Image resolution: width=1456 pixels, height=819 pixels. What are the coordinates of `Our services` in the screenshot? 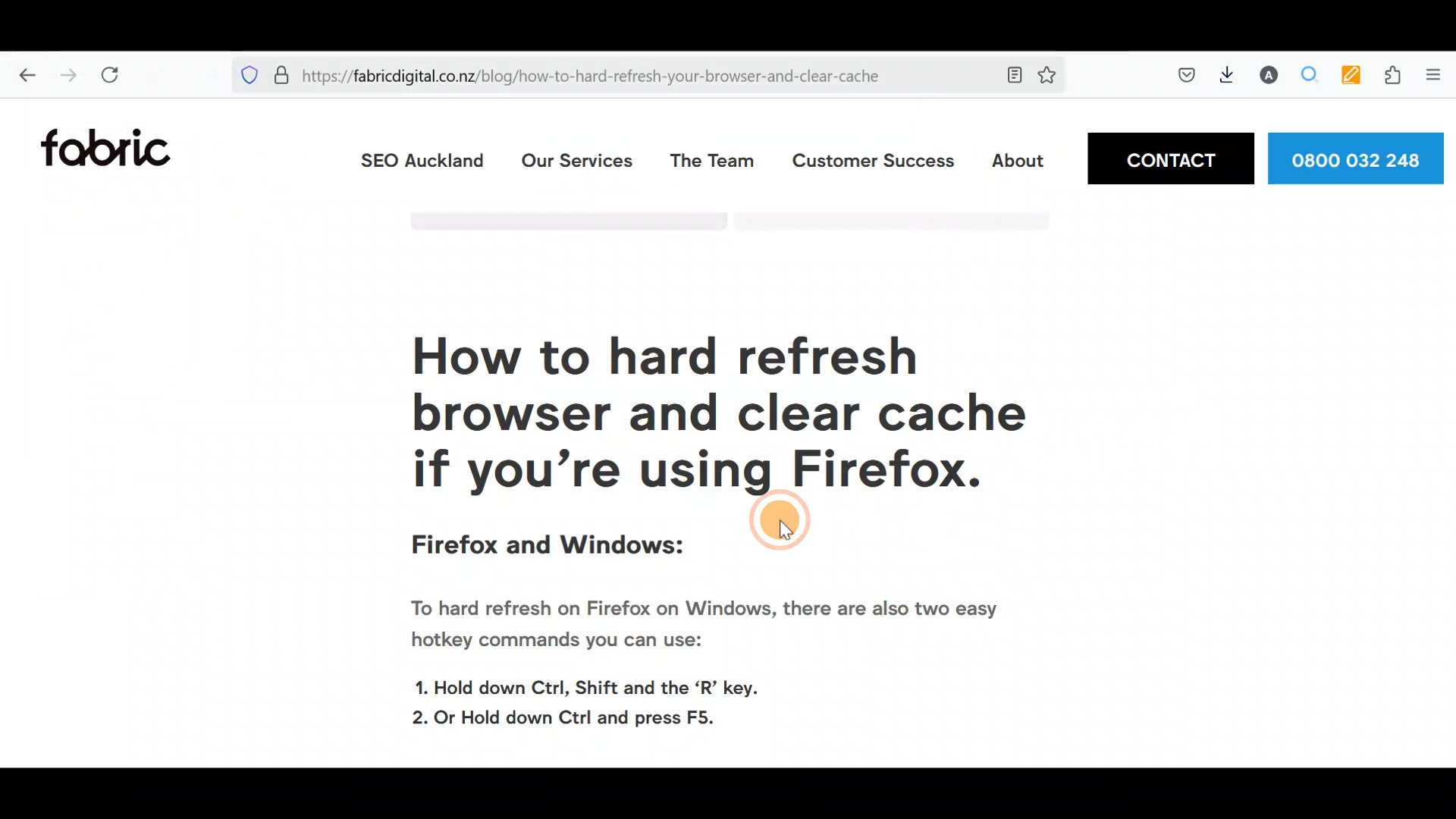 It's located at (574, 161).